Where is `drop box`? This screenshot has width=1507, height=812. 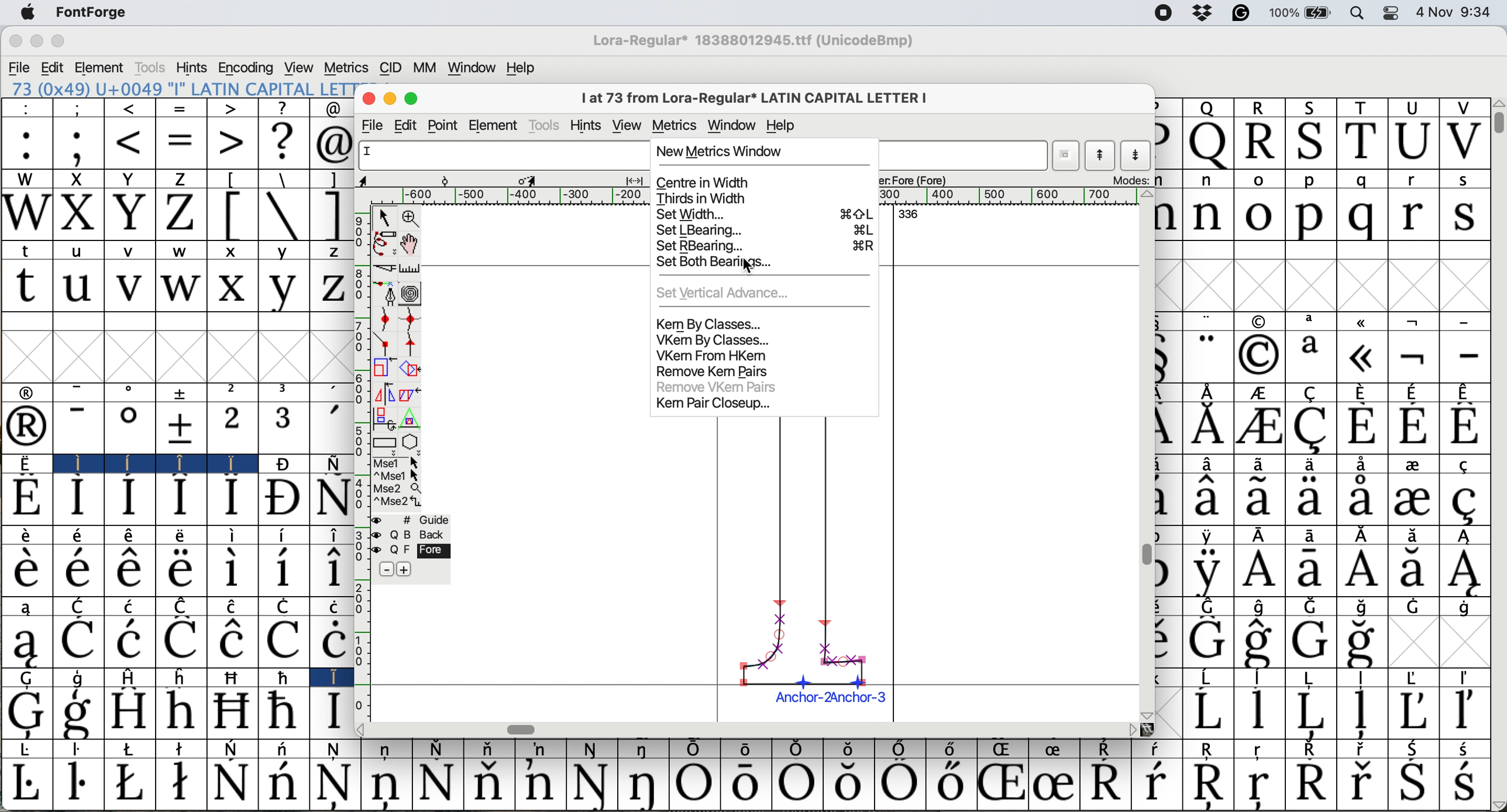
drop box is located at coordinates (1203, 14).